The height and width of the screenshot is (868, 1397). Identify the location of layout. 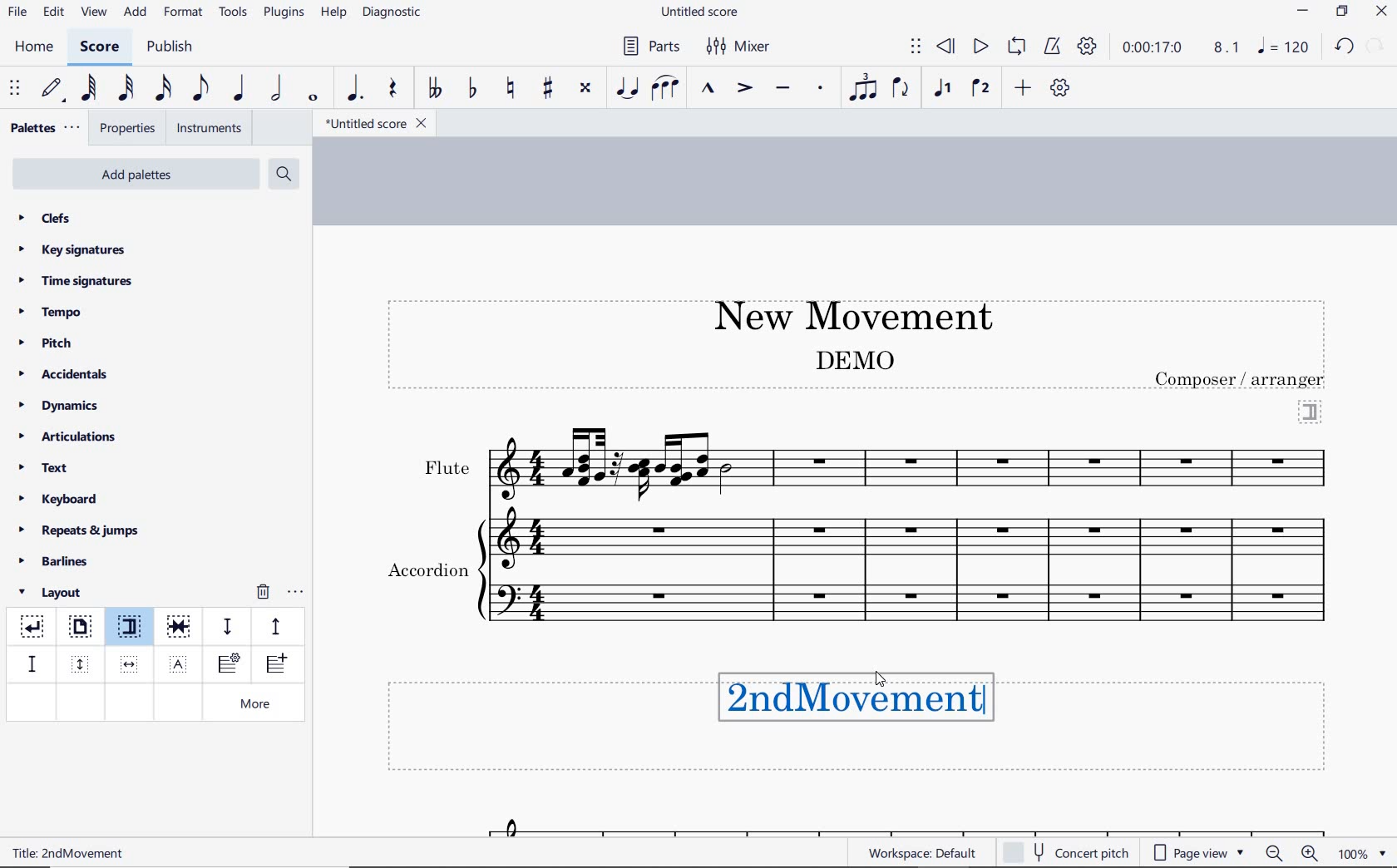
(53, 593).